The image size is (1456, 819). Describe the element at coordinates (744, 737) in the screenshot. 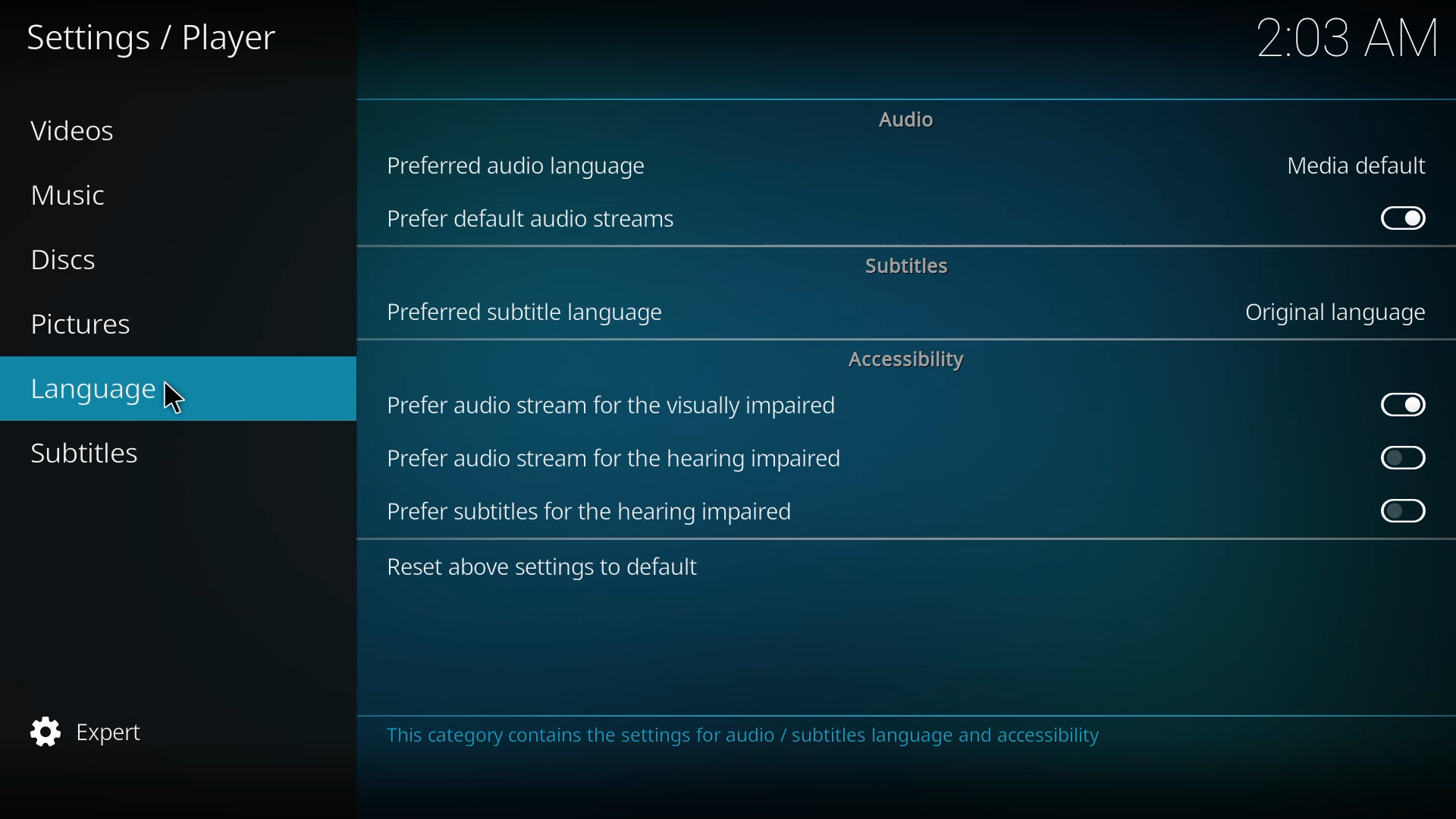

I see `info` at that location.